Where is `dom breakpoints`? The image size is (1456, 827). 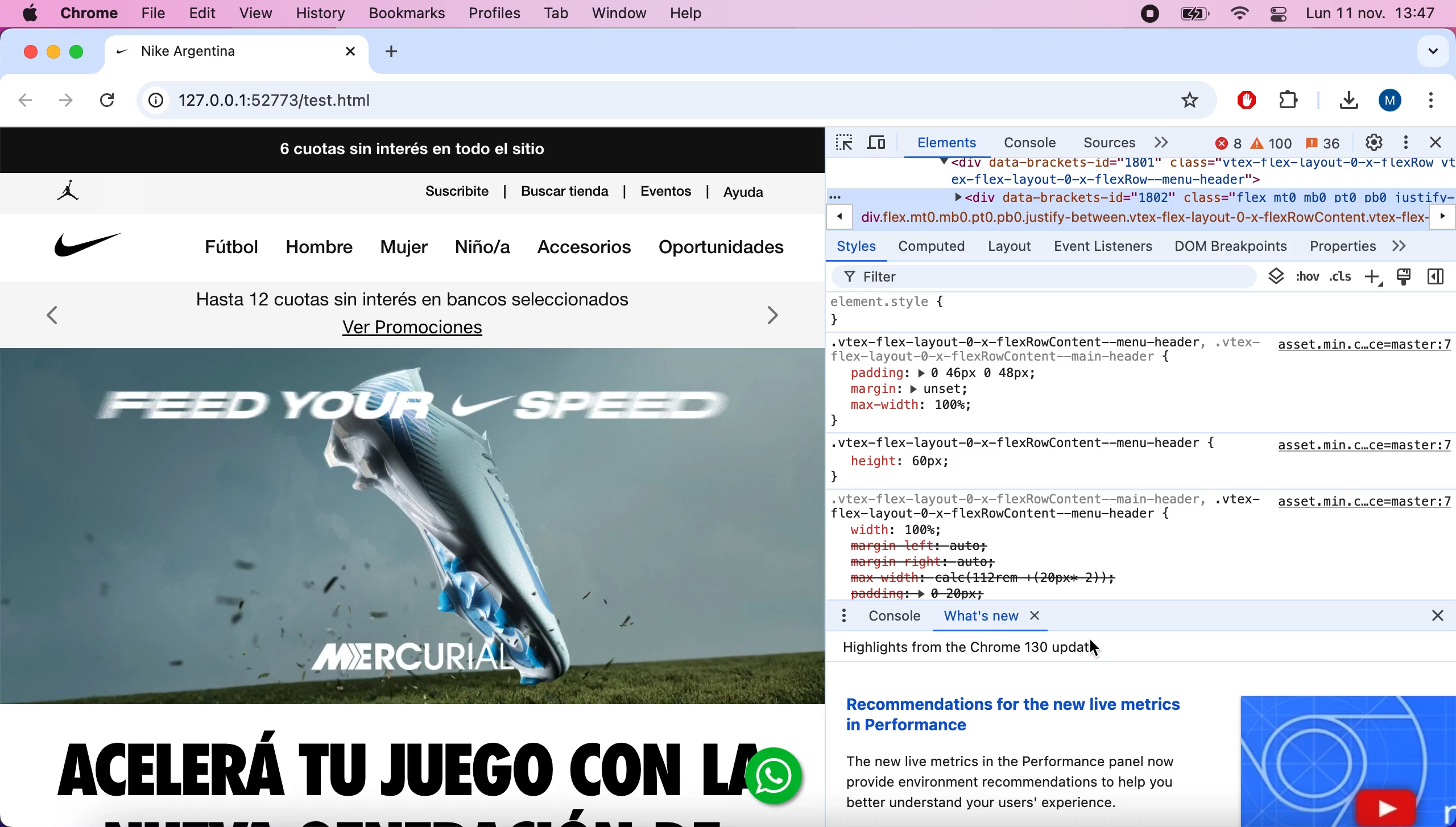
dom breakpoints is located at coordinates (1236, 245).